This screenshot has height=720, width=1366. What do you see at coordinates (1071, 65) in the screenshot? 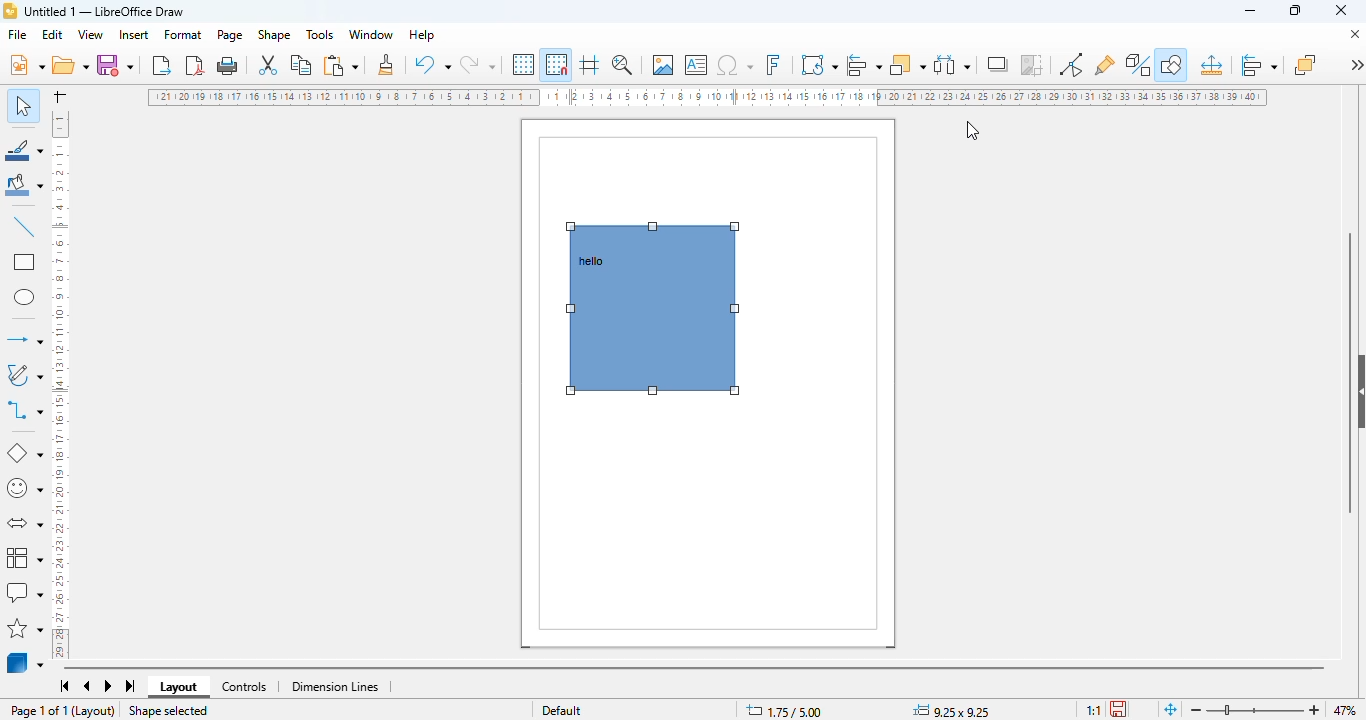
I see `toggle point edit mode` at bounding box center [1071, 65].